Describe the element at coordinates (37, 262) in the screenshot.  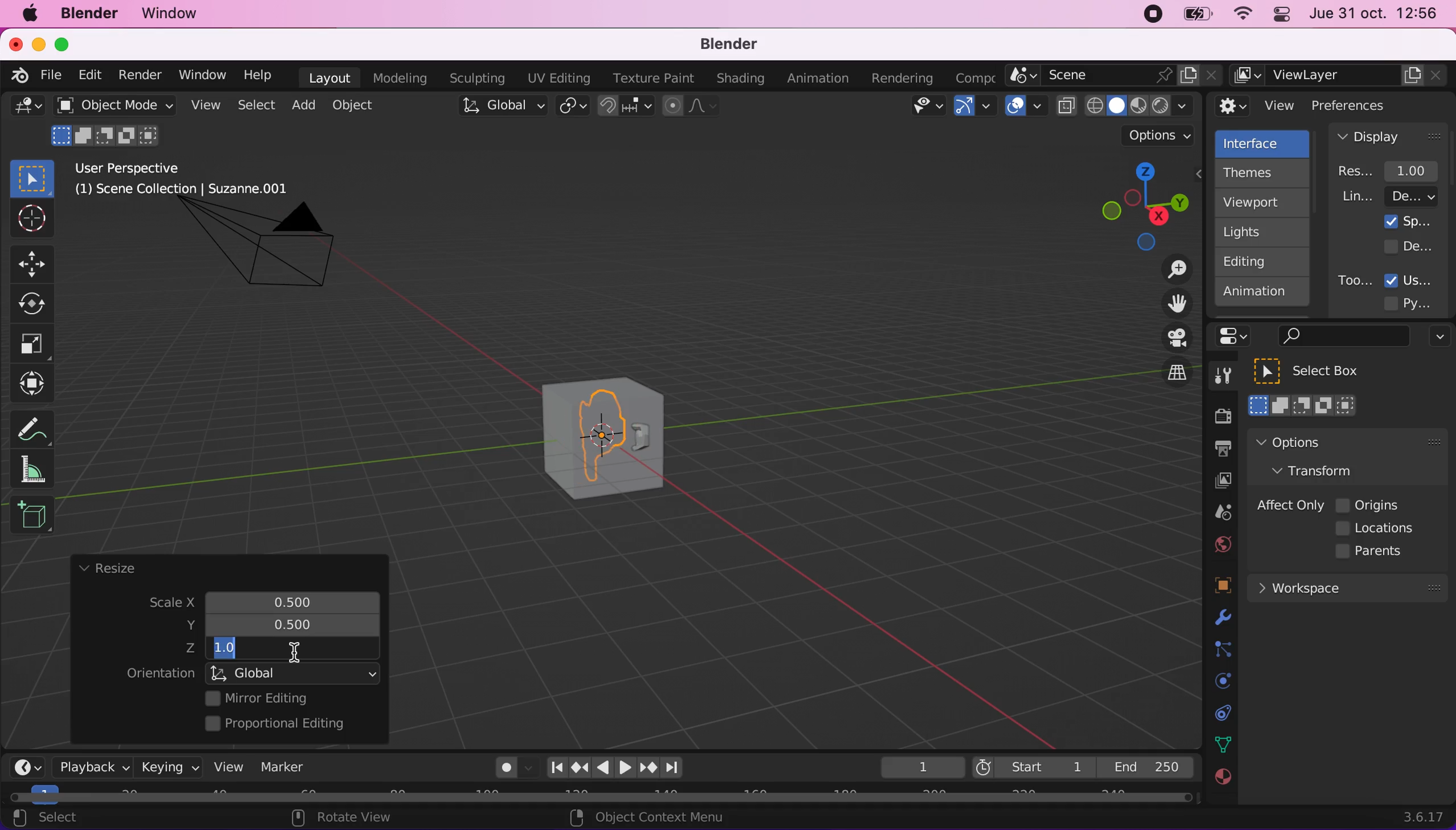
I see `` at that location.